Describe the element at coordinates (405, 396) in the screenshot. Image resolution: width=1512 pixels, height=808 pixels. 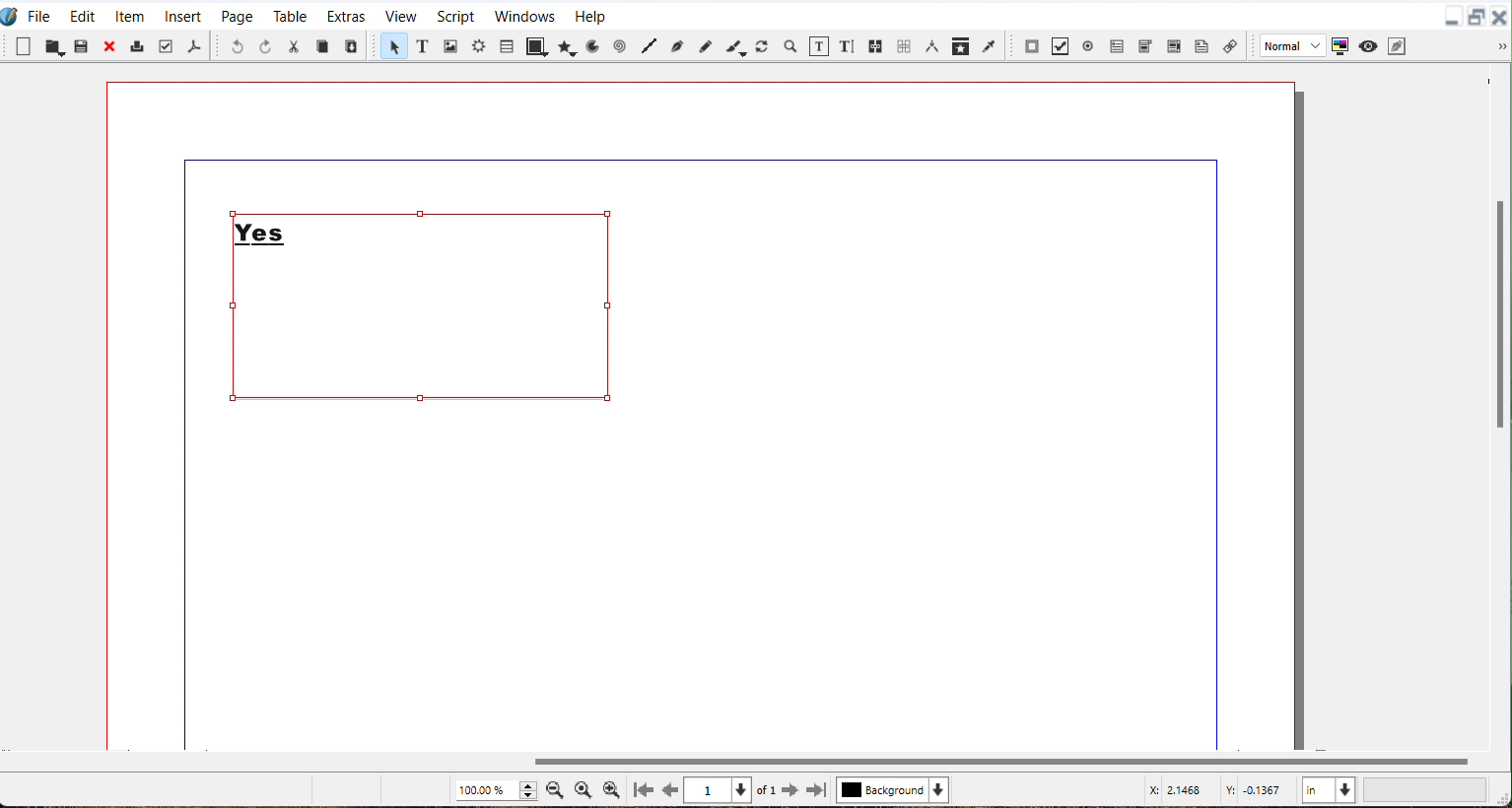
I see `text frame` at that location.